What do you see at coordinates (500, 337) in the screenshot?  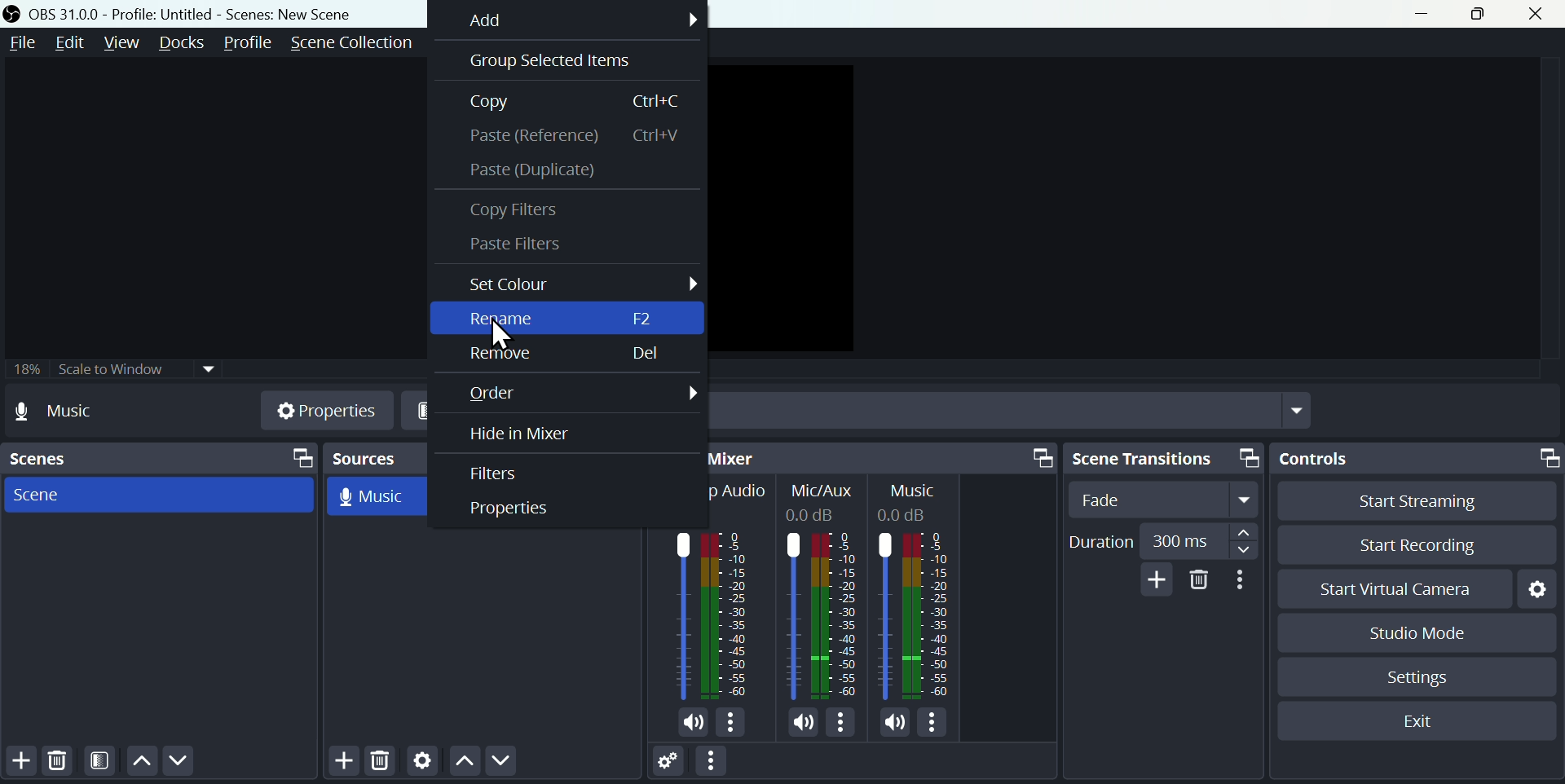 I see `cursor` at bounding box center [500, 337].